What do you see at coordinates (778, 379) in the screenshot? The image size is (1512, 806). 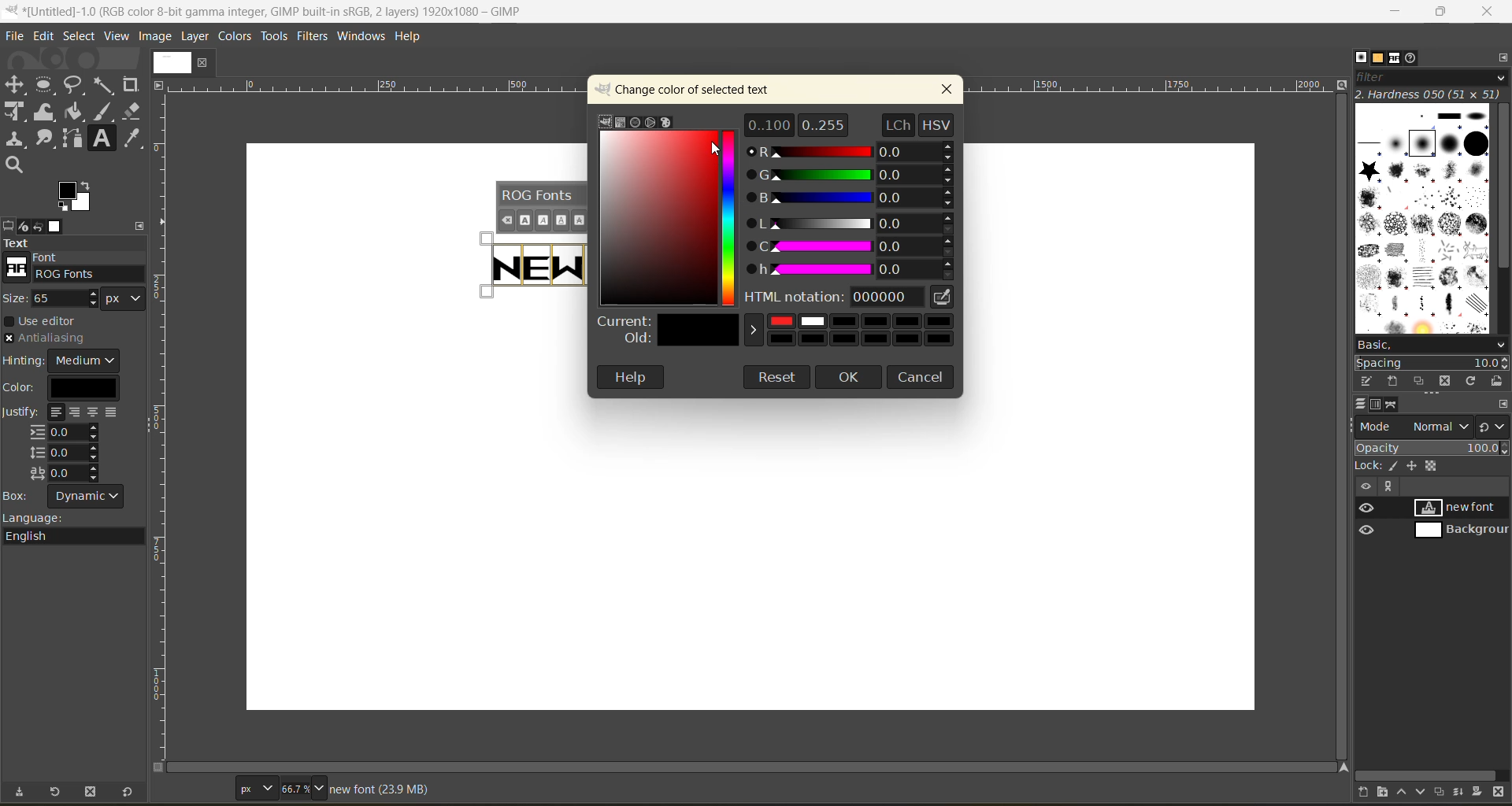 I see `reset` at bounding box center [778, 379].